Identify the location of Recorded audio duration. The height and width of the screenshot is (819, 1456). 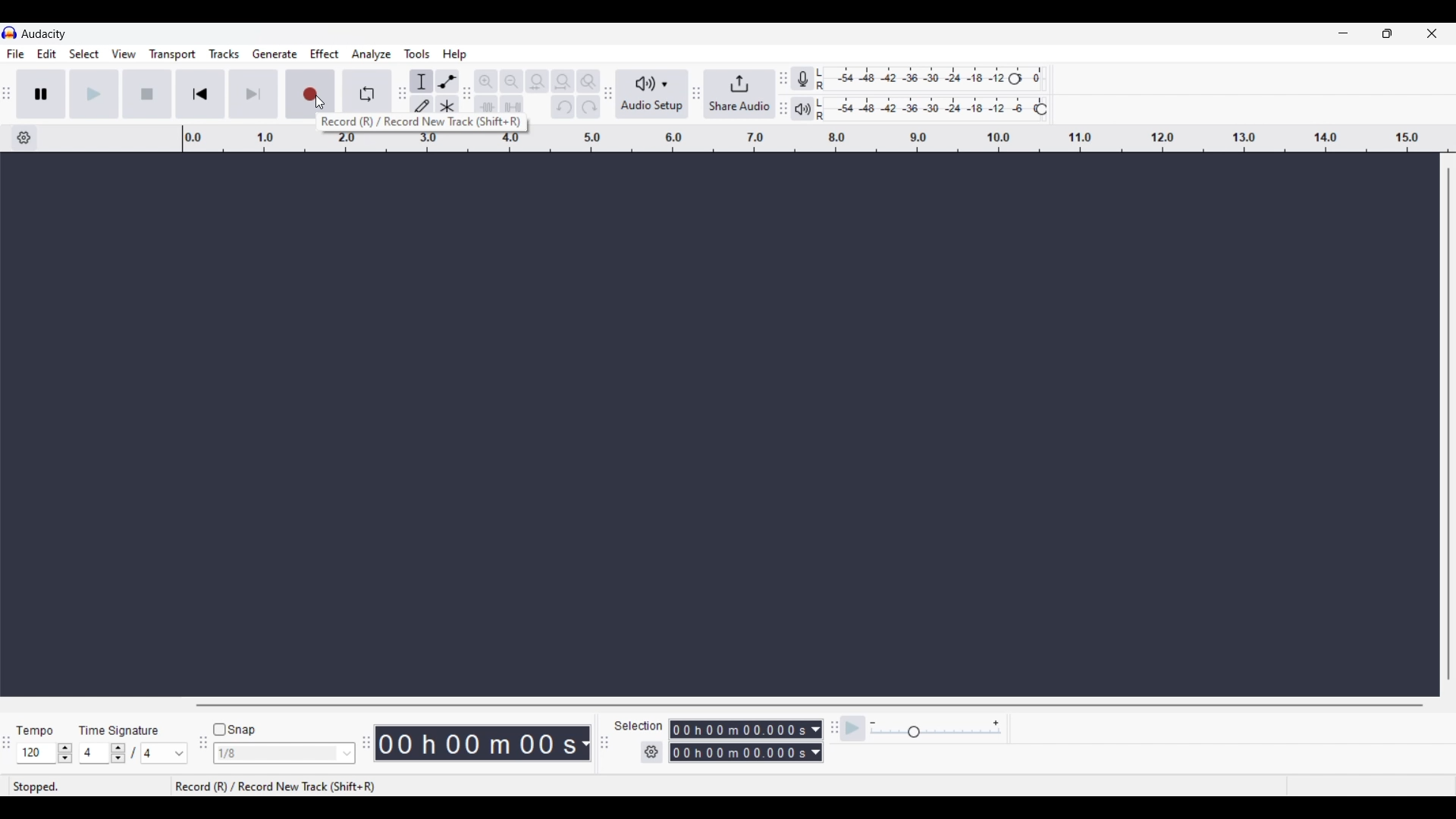
(477, 744).